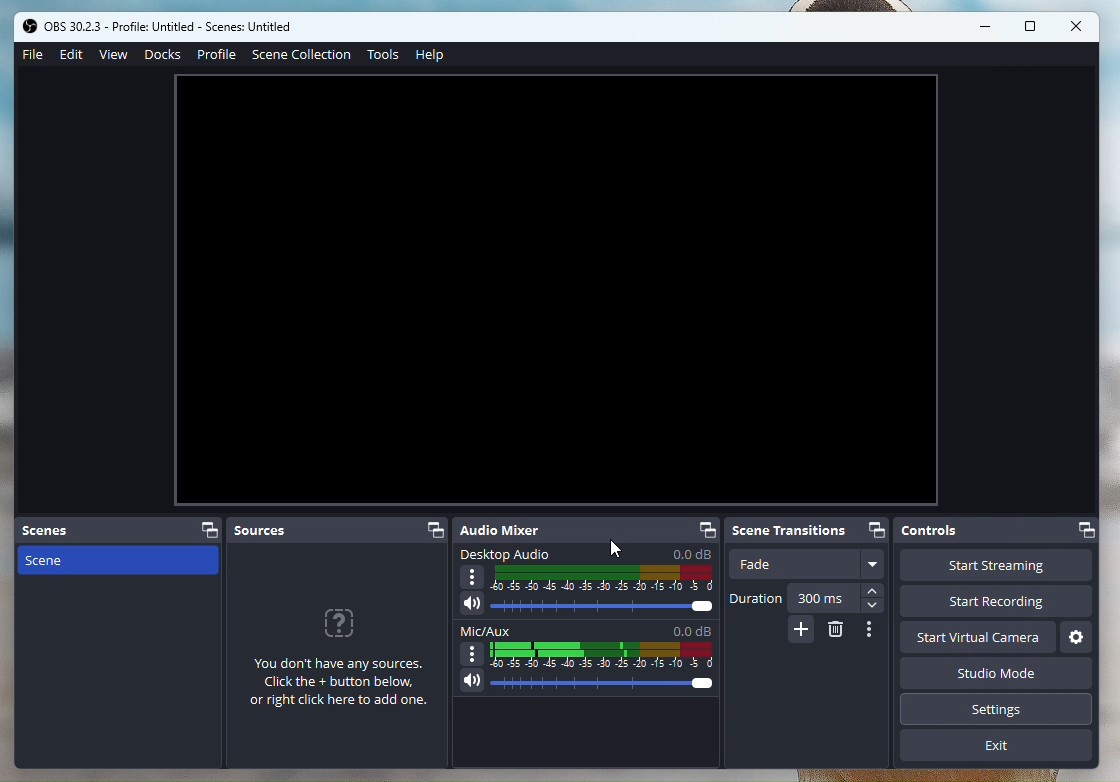 This screenshot has height=782, width=1120. I want to click on Start Recording, so click(994, 602).